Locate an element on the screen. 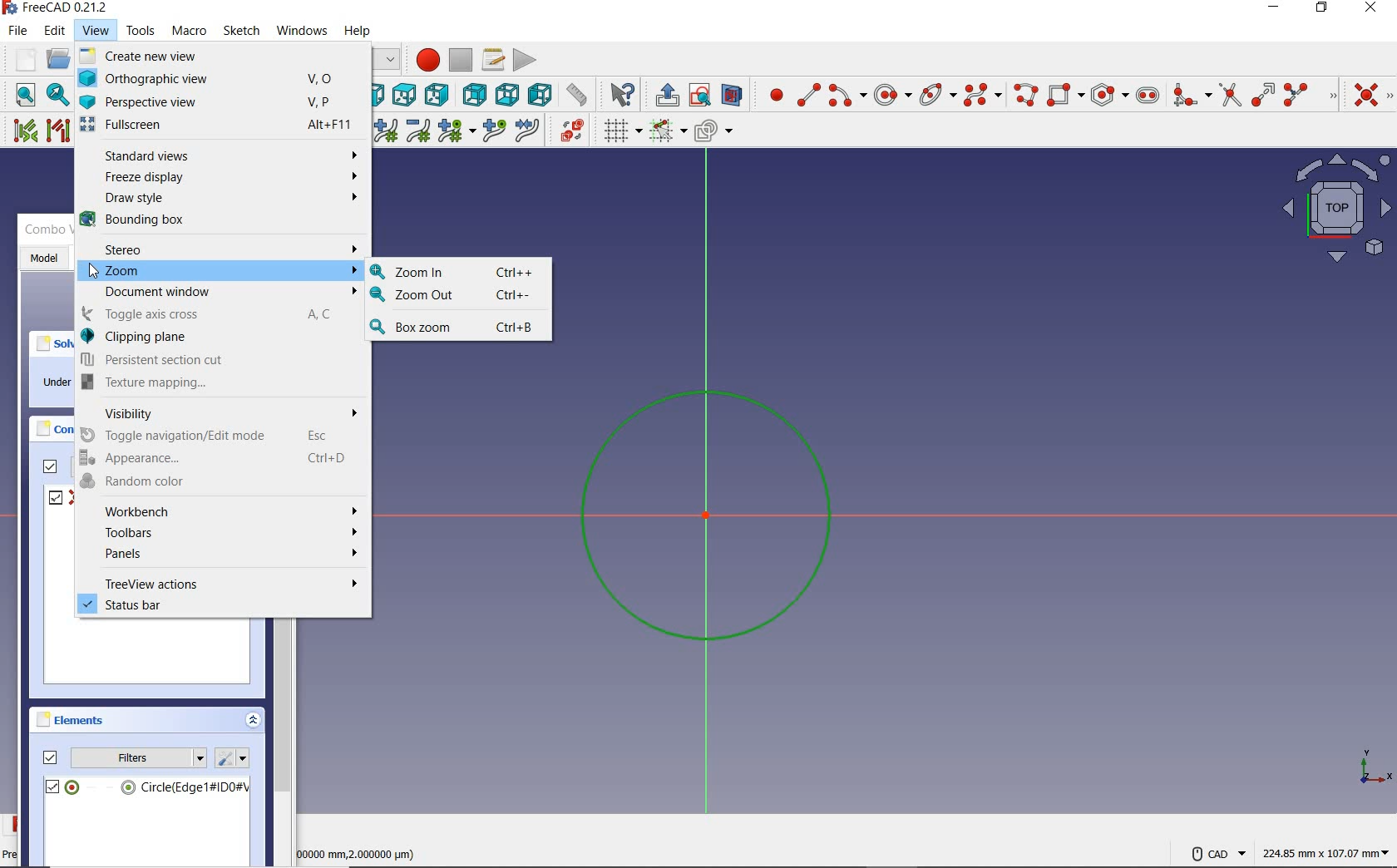  create B-Spline is located at coordinates (981, 95).